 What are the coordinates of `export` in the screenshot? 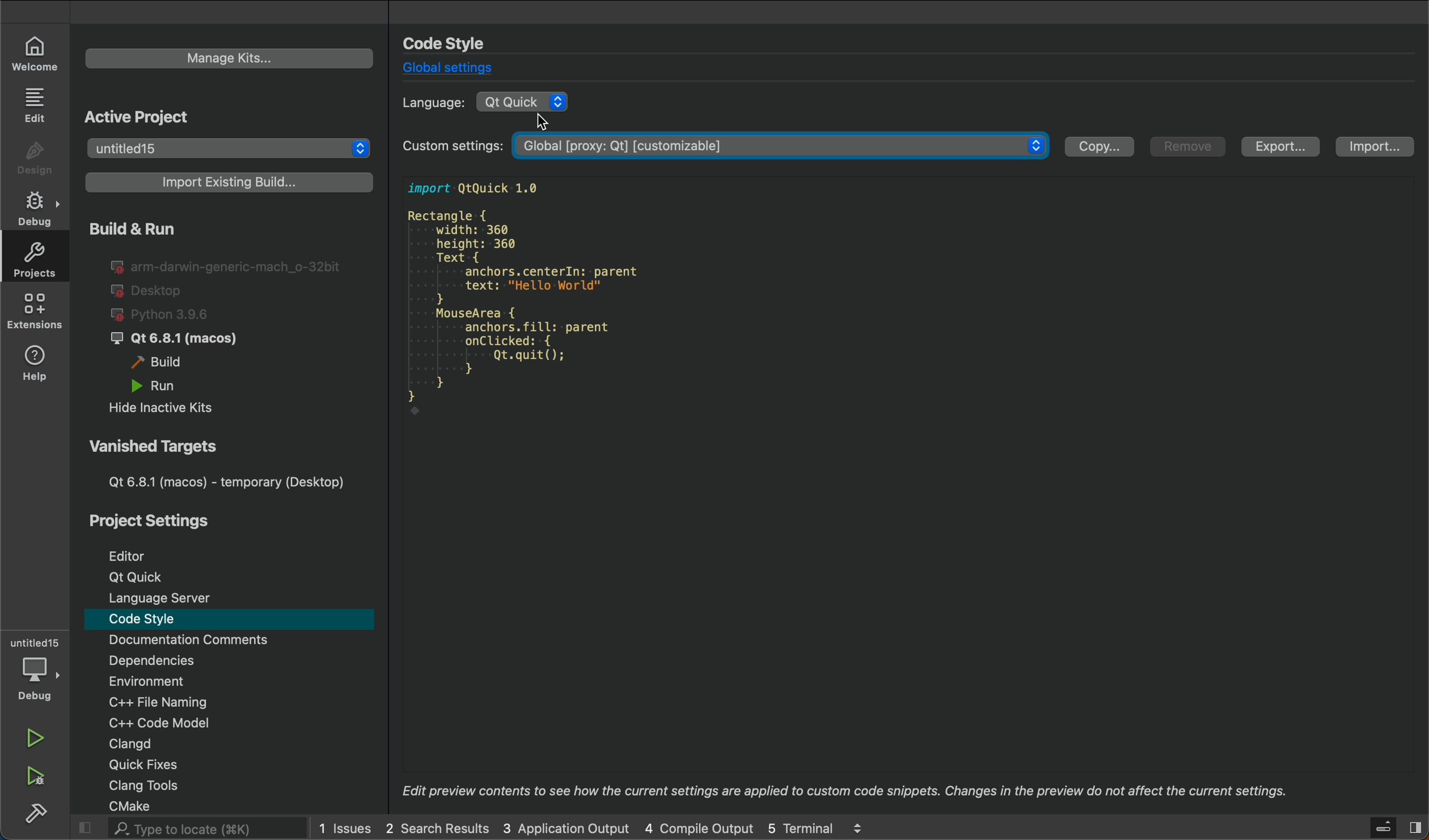 It's located at (1281, 150).